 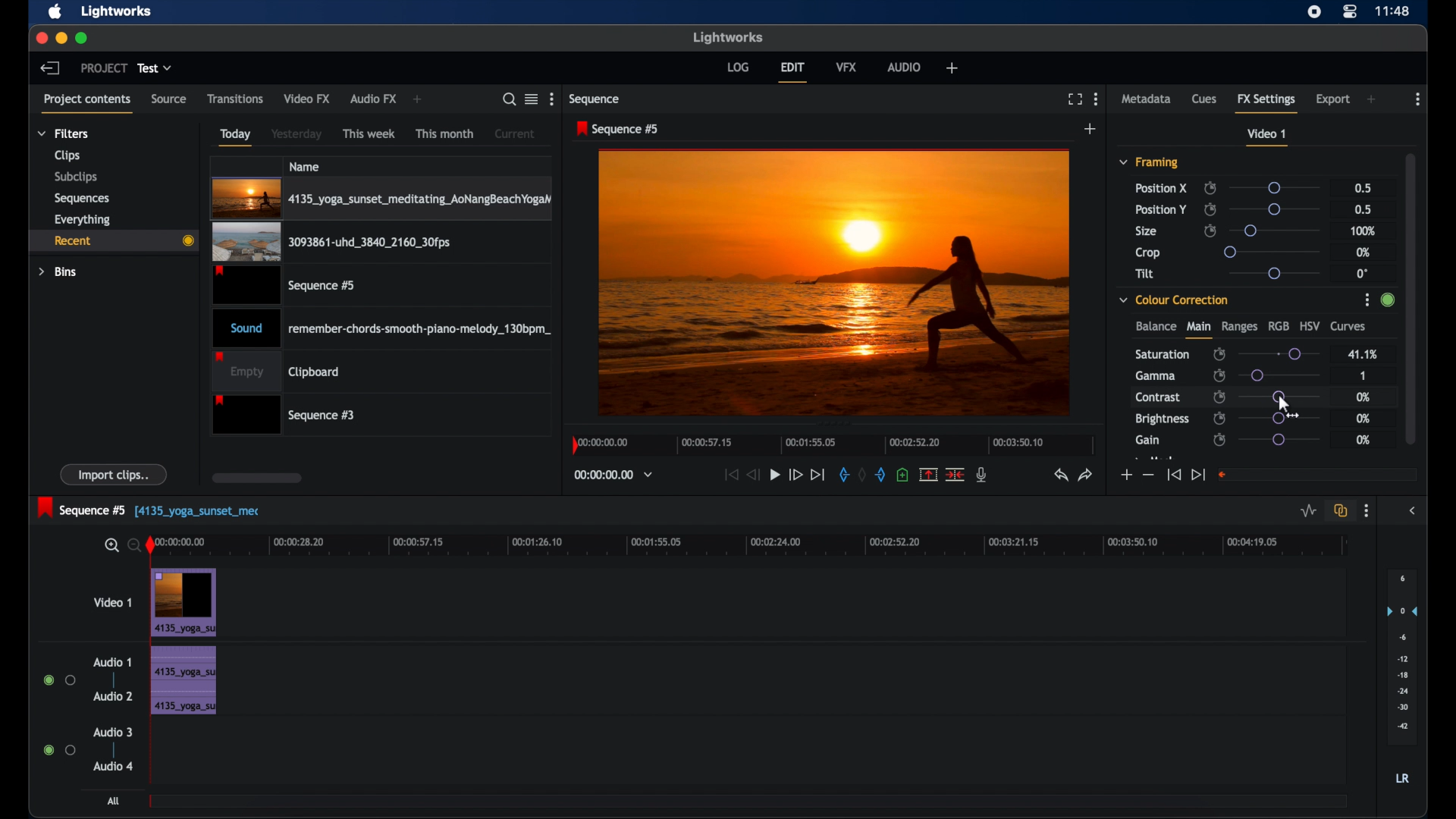 I want to click on minimize, so click(x=58, y=38).